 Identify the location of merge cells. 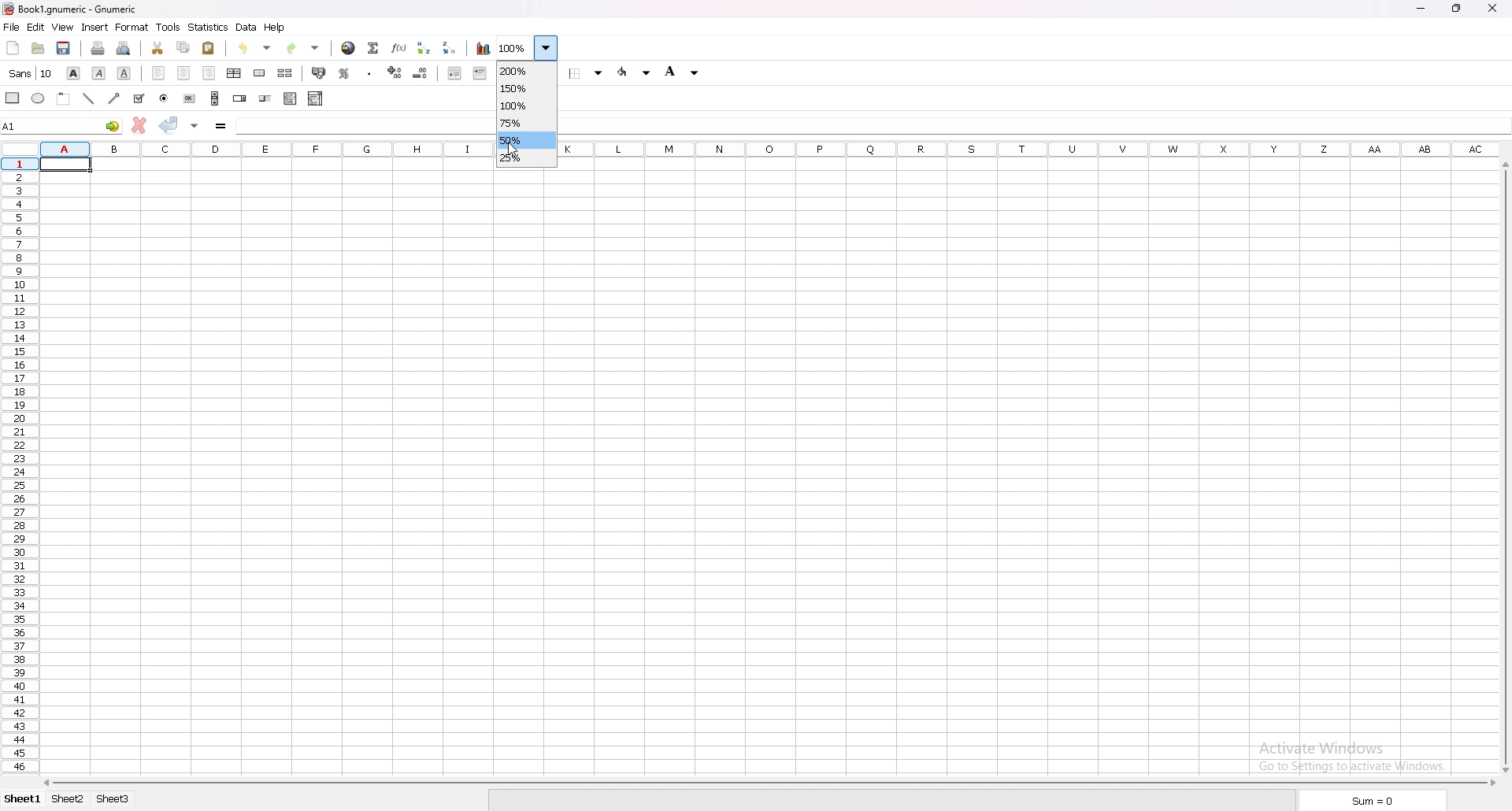
(259, 73).